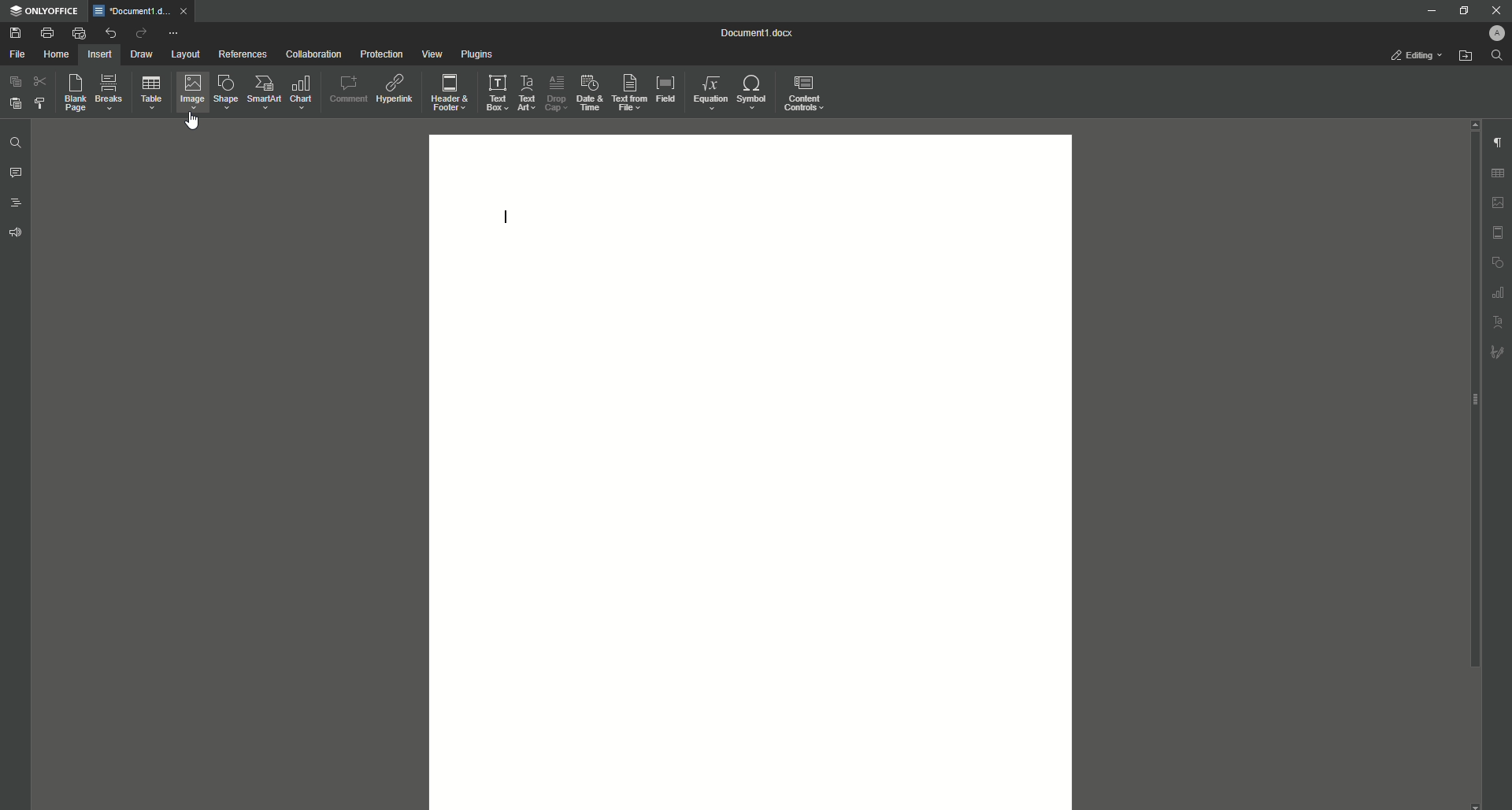 The width and height of the screenshot is (1512, 810). What do you see at coordinates (1498, 351) in the screenshot?
I see `Signature Settings` at bounding box center [1498, 351].